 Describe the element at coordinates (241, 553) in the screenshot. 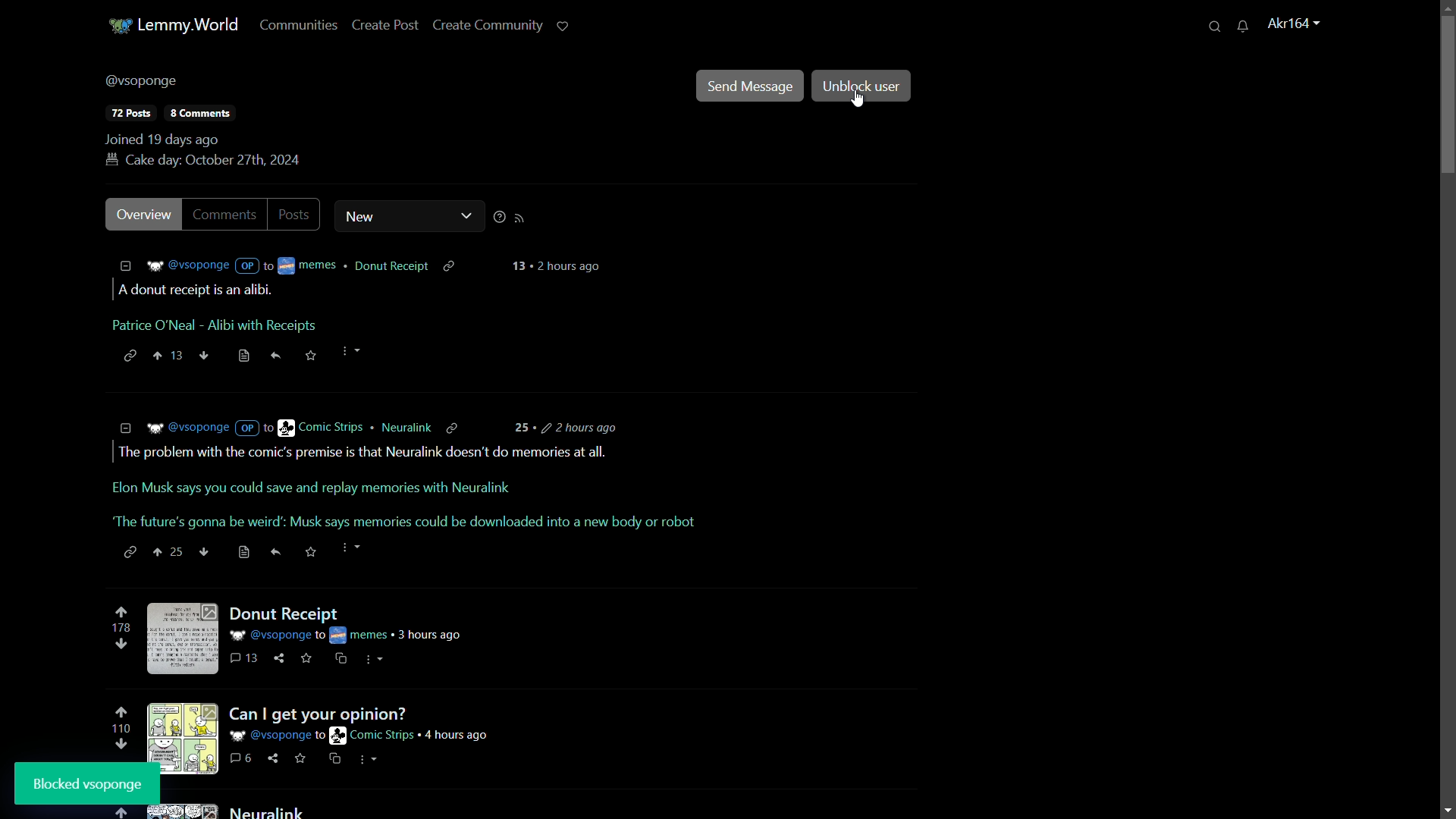

I see `save` at that location.